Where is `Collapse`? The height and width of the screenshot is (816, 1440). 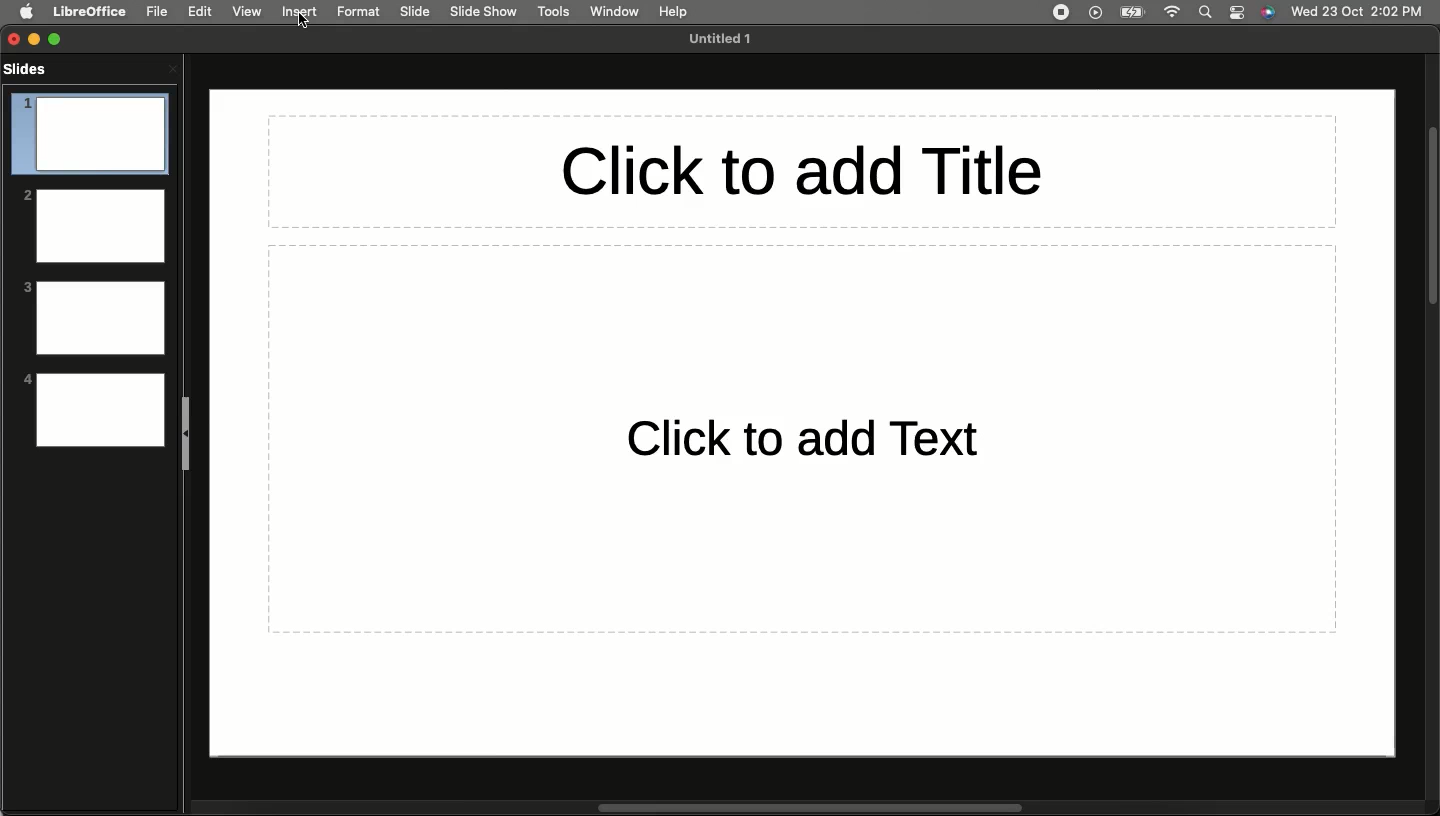 Collapse is located at coordinates (188, 432).